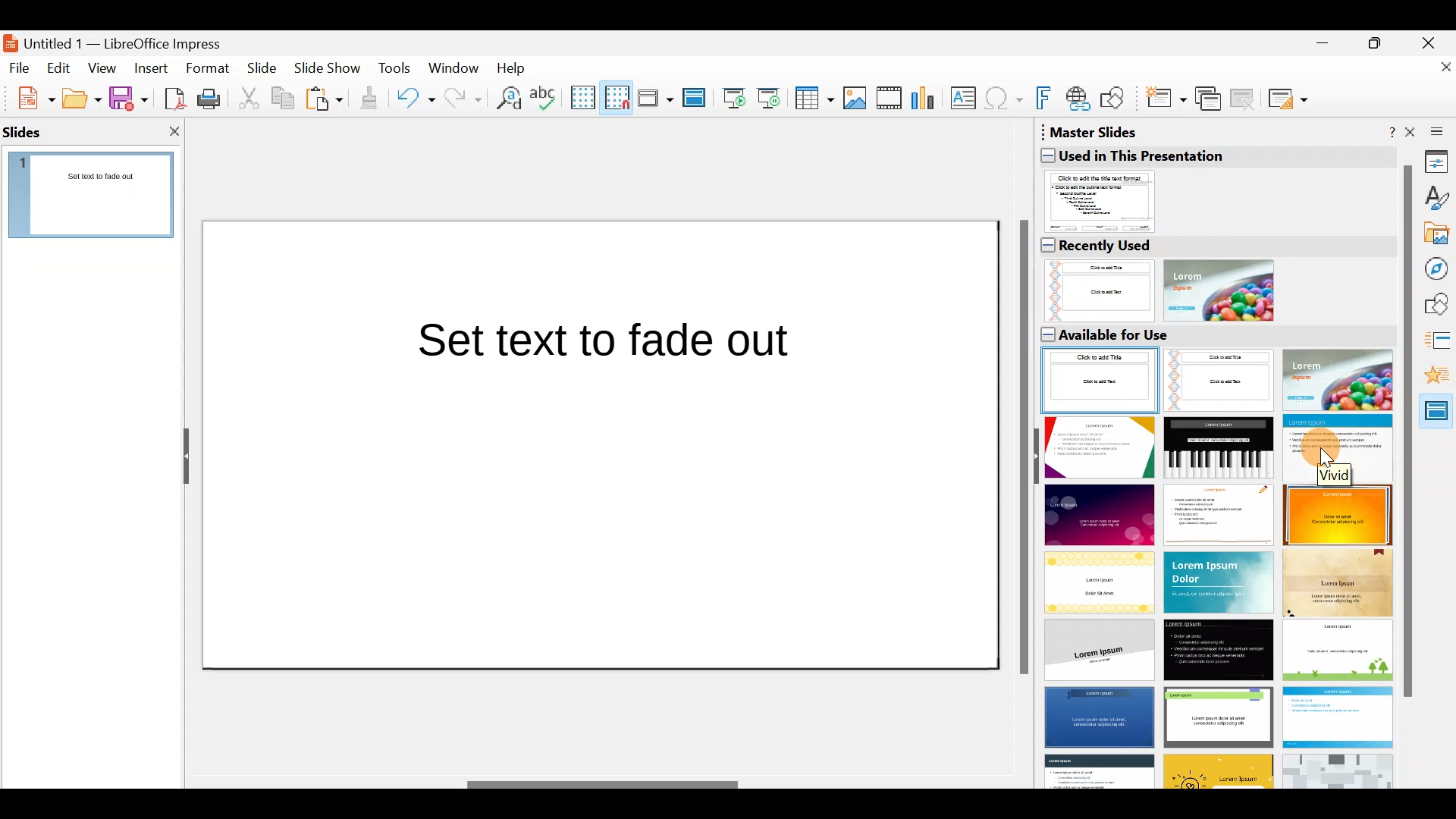 This screenshot has width=1456, height=819. I want to click on Recently used, so click(1209, 278).